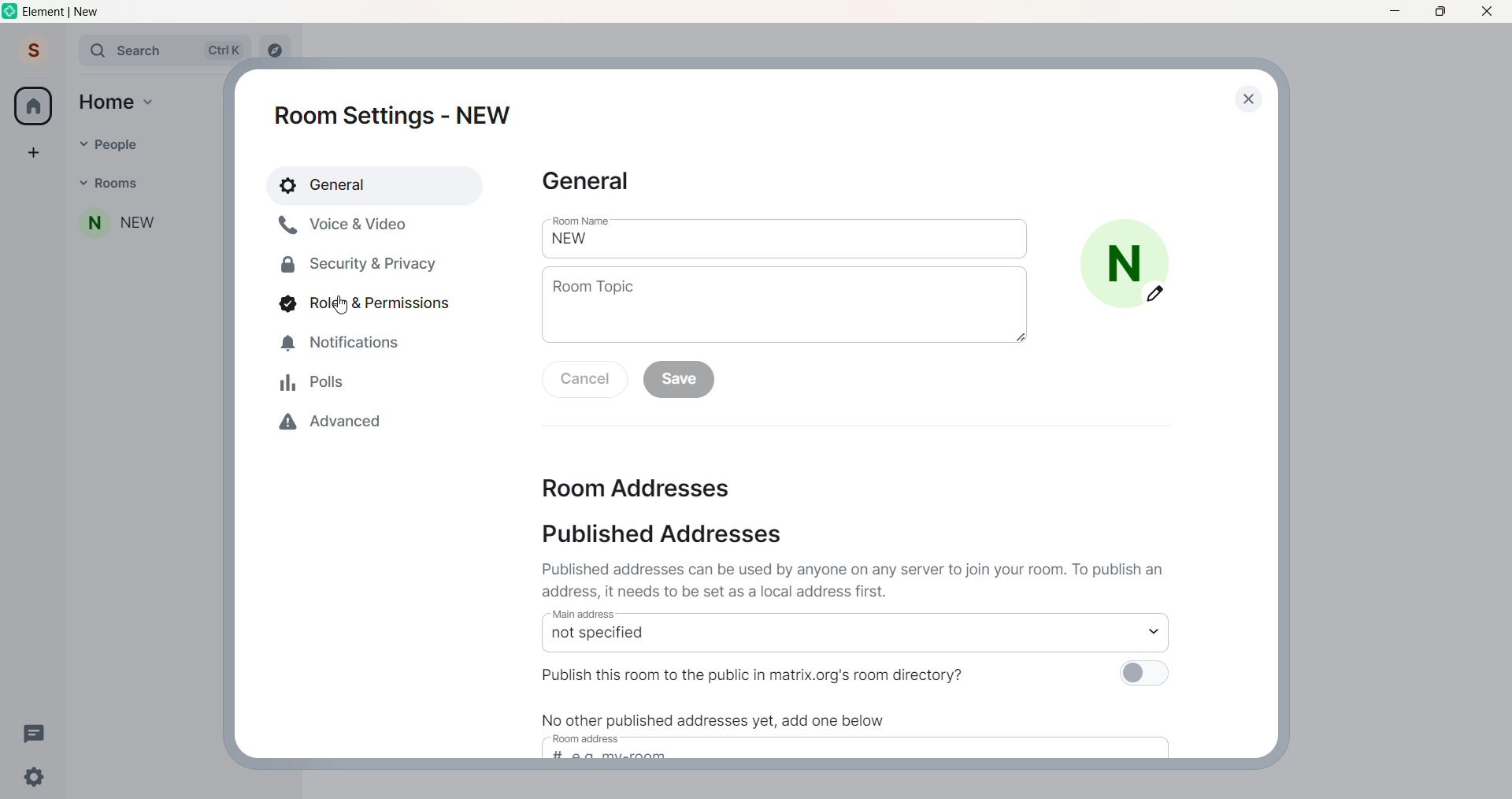  What do you see at coordinates (595, 182) in the screenshot?
I see `general` at bounding box center [595, 182].